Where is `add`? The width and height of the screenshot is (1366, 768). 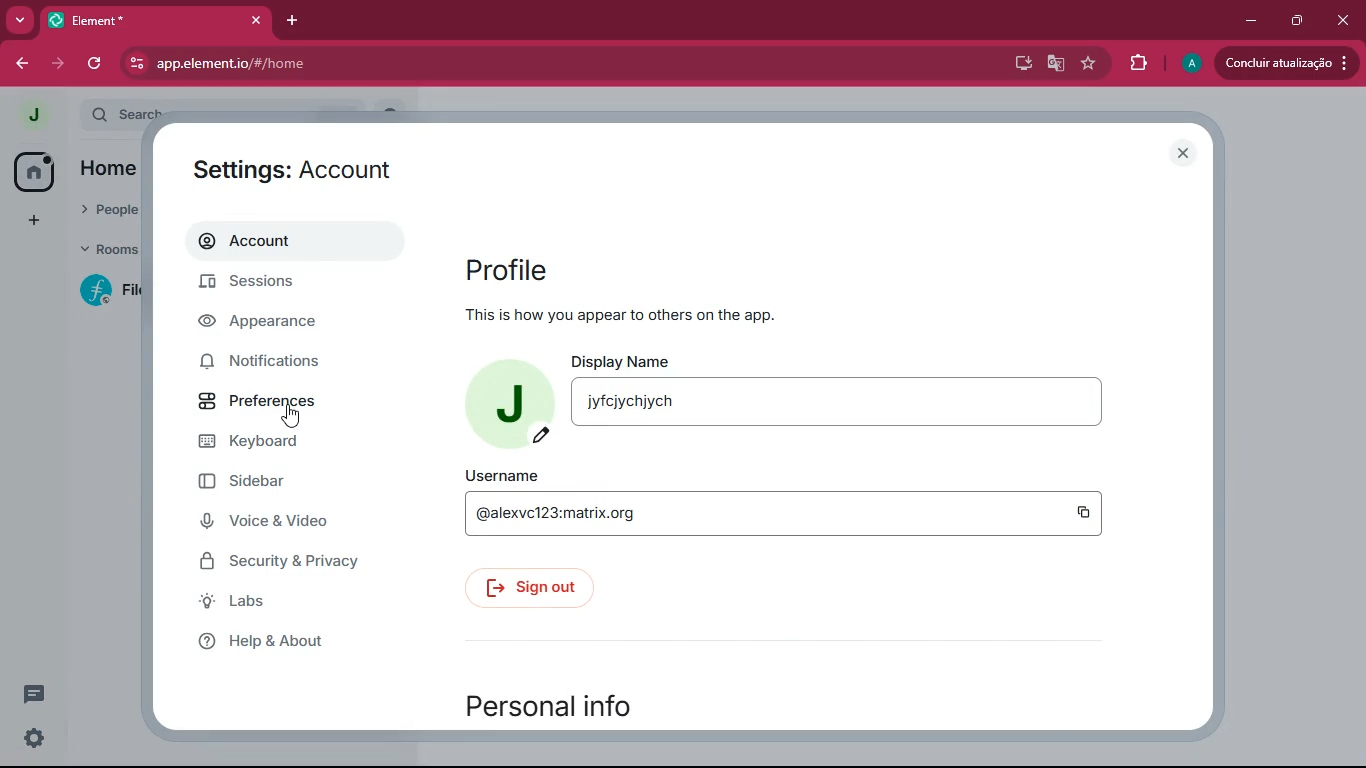
add is located at coordinates (26, 222).